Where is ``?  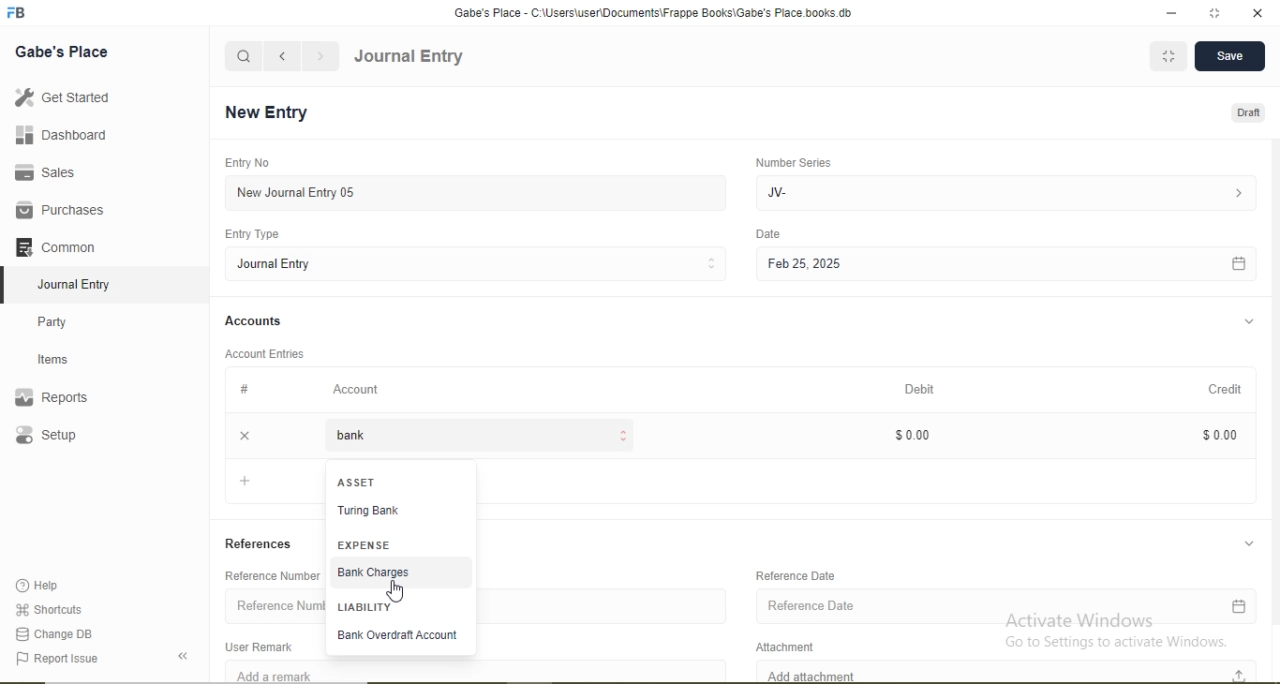
 is located at coordinates (246, 389).